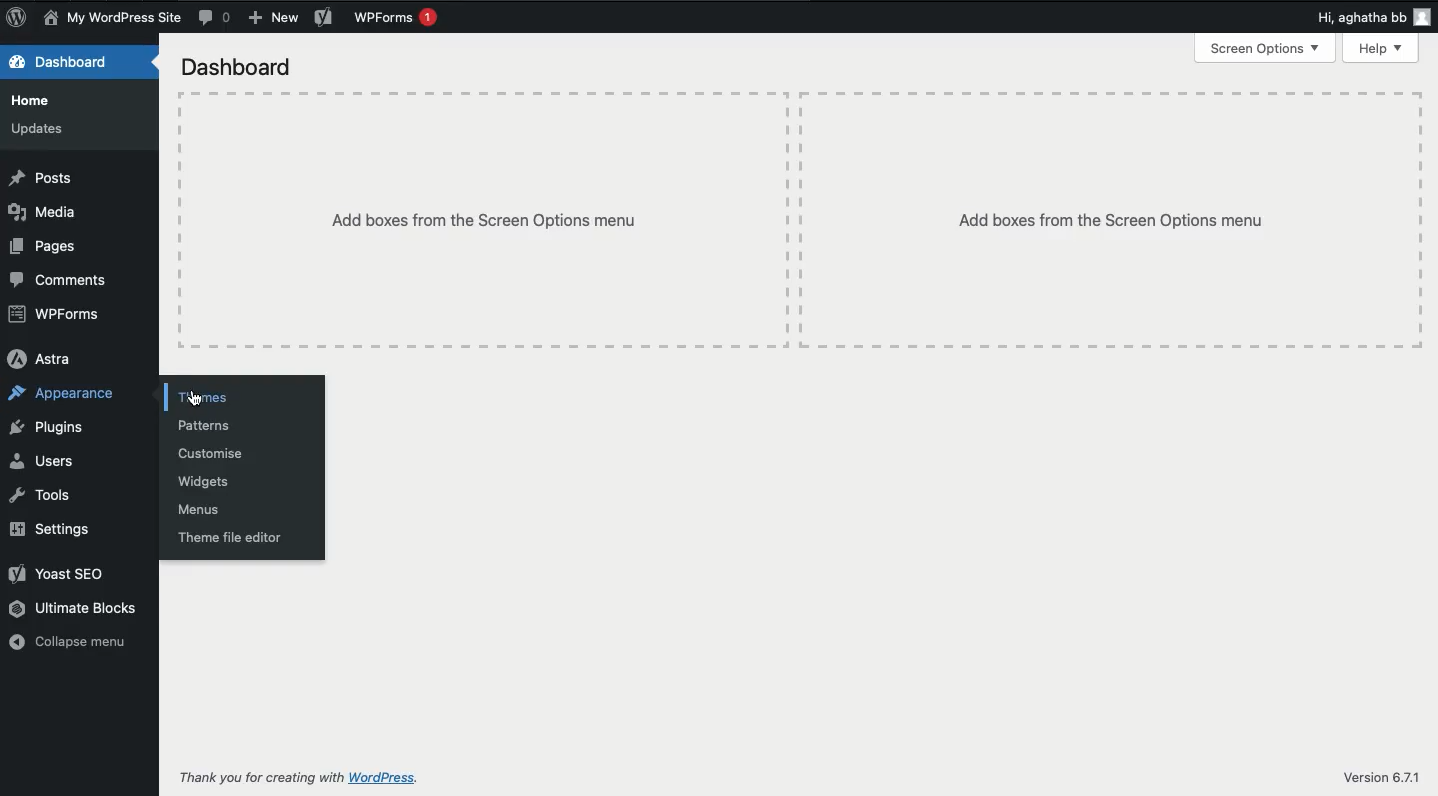 Image resolution: width=1438 pixels, height=796 pixels. I want to click on Version 6.7.1, so click(1380, 778).